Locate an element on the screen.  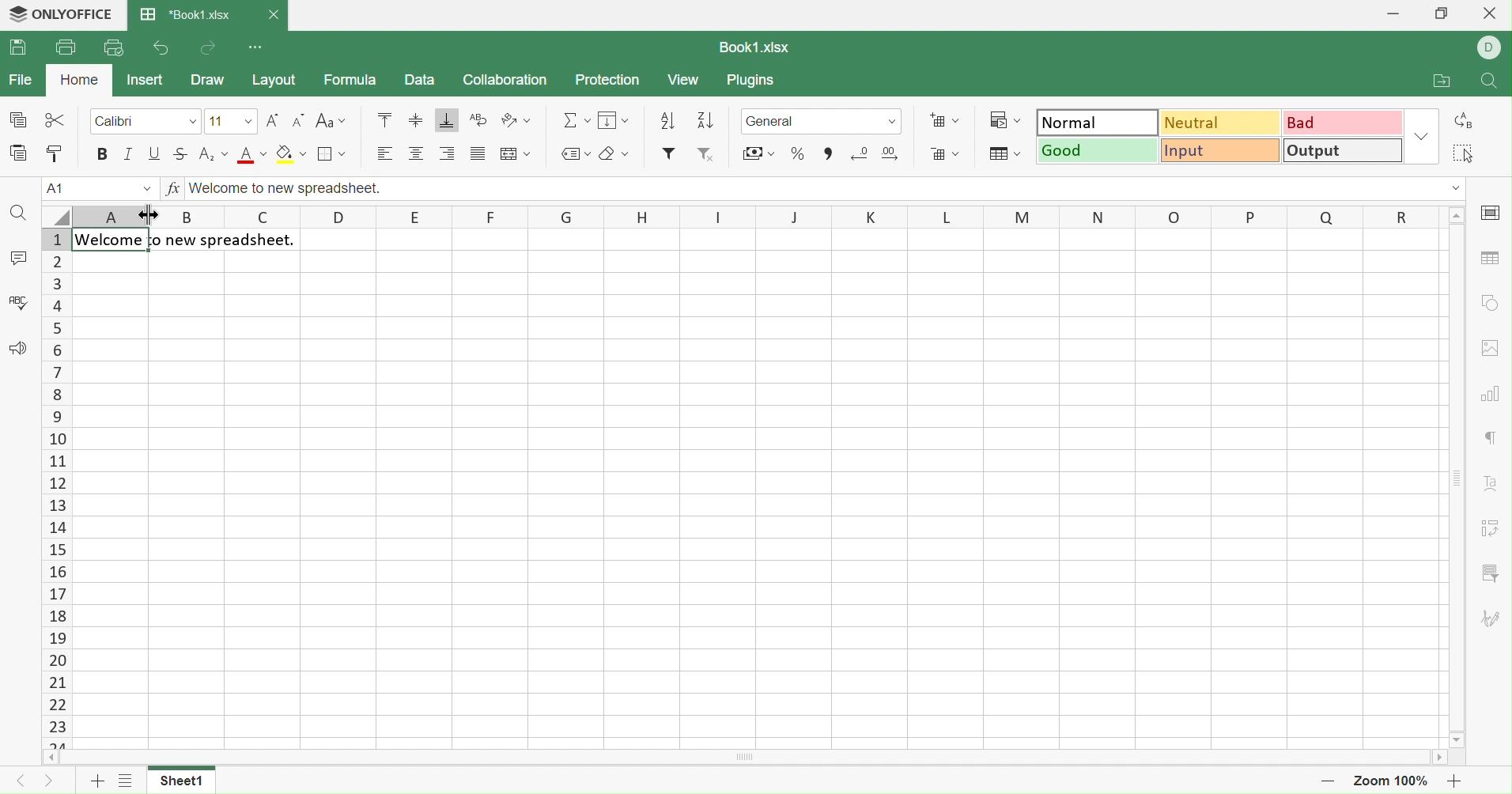
Home is located at coordinates (78, 79).